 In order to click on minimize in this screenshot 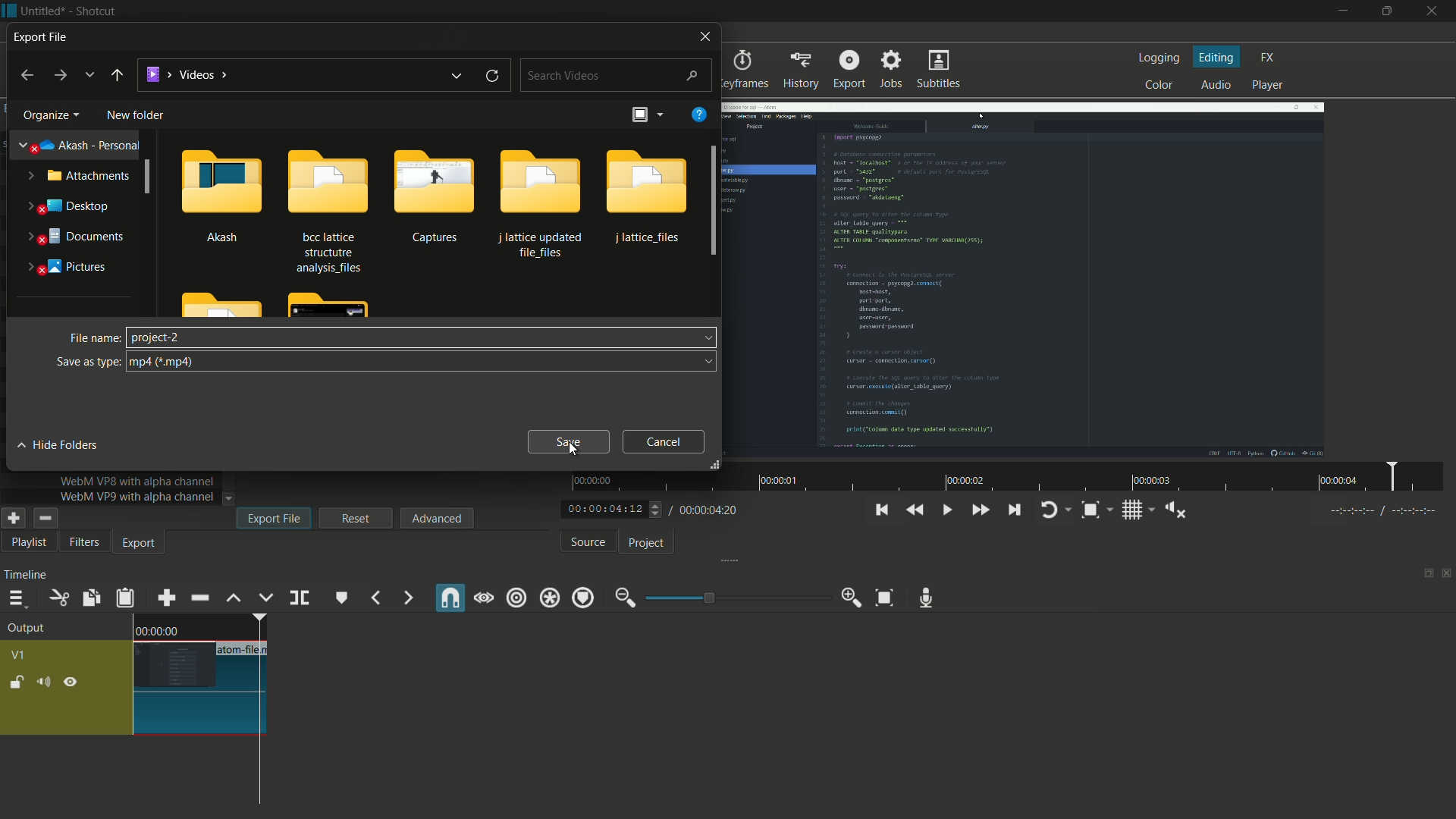, I will do `click(1341, 11)`.